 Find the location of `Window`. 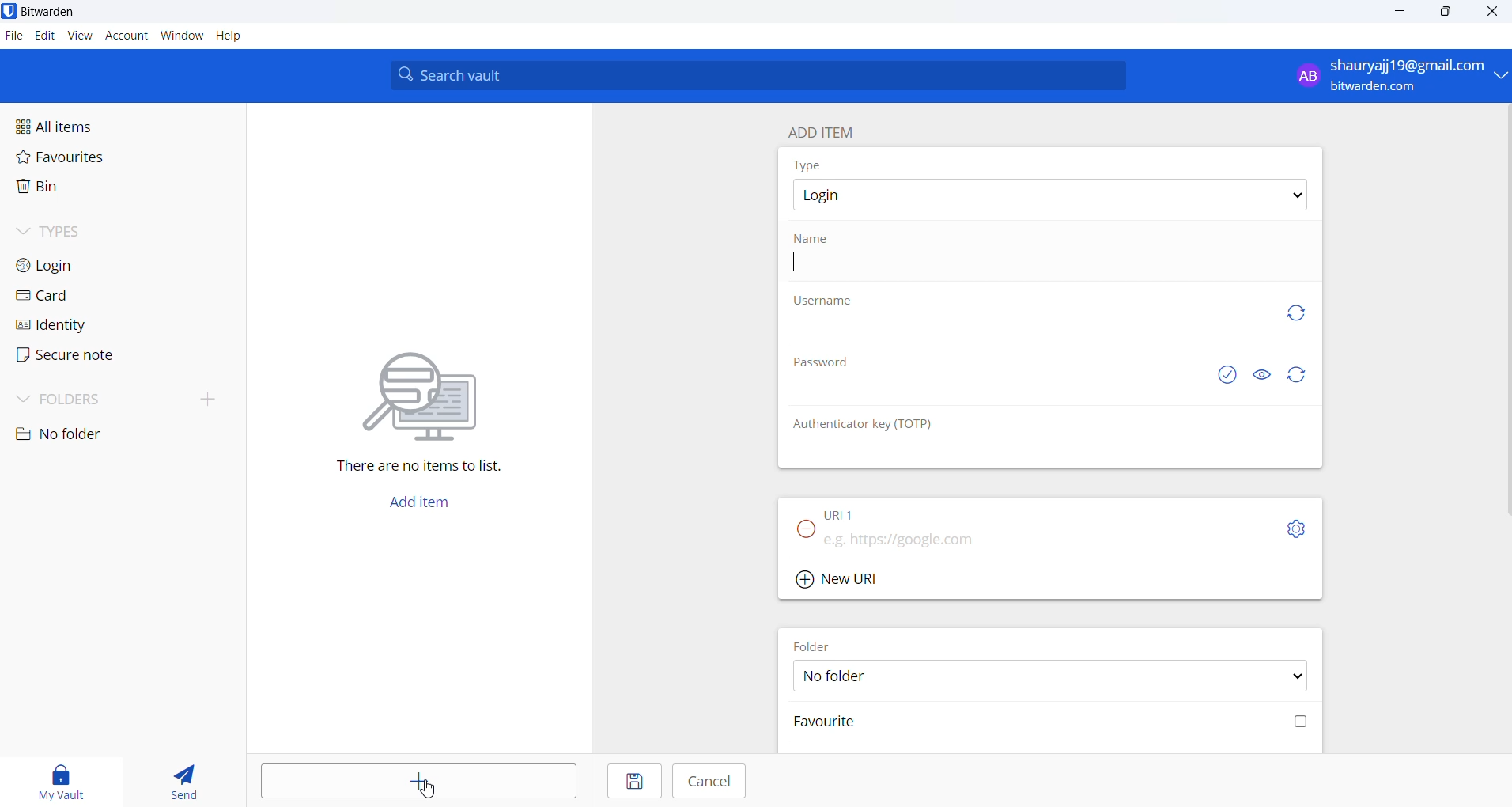

Window is located at coordinates (182, 39).